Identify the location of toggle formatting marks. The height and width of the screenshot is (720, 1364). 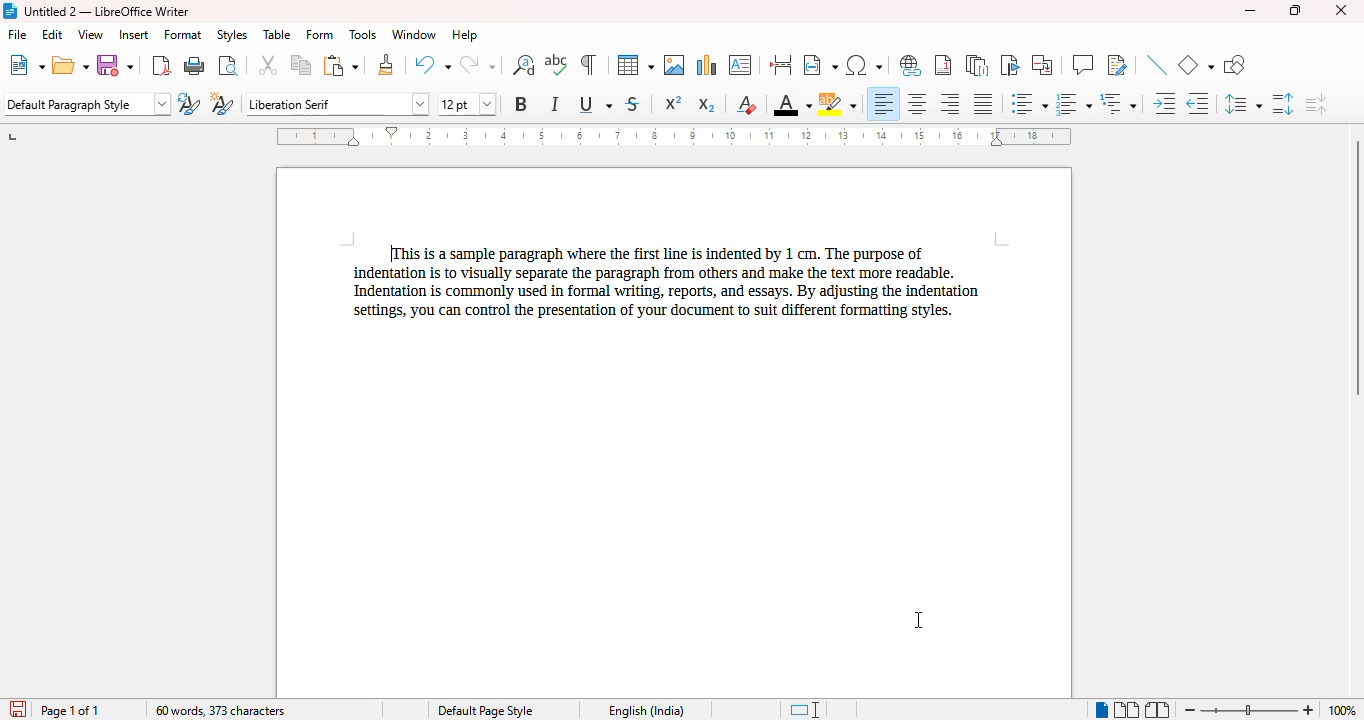
(588, 65).